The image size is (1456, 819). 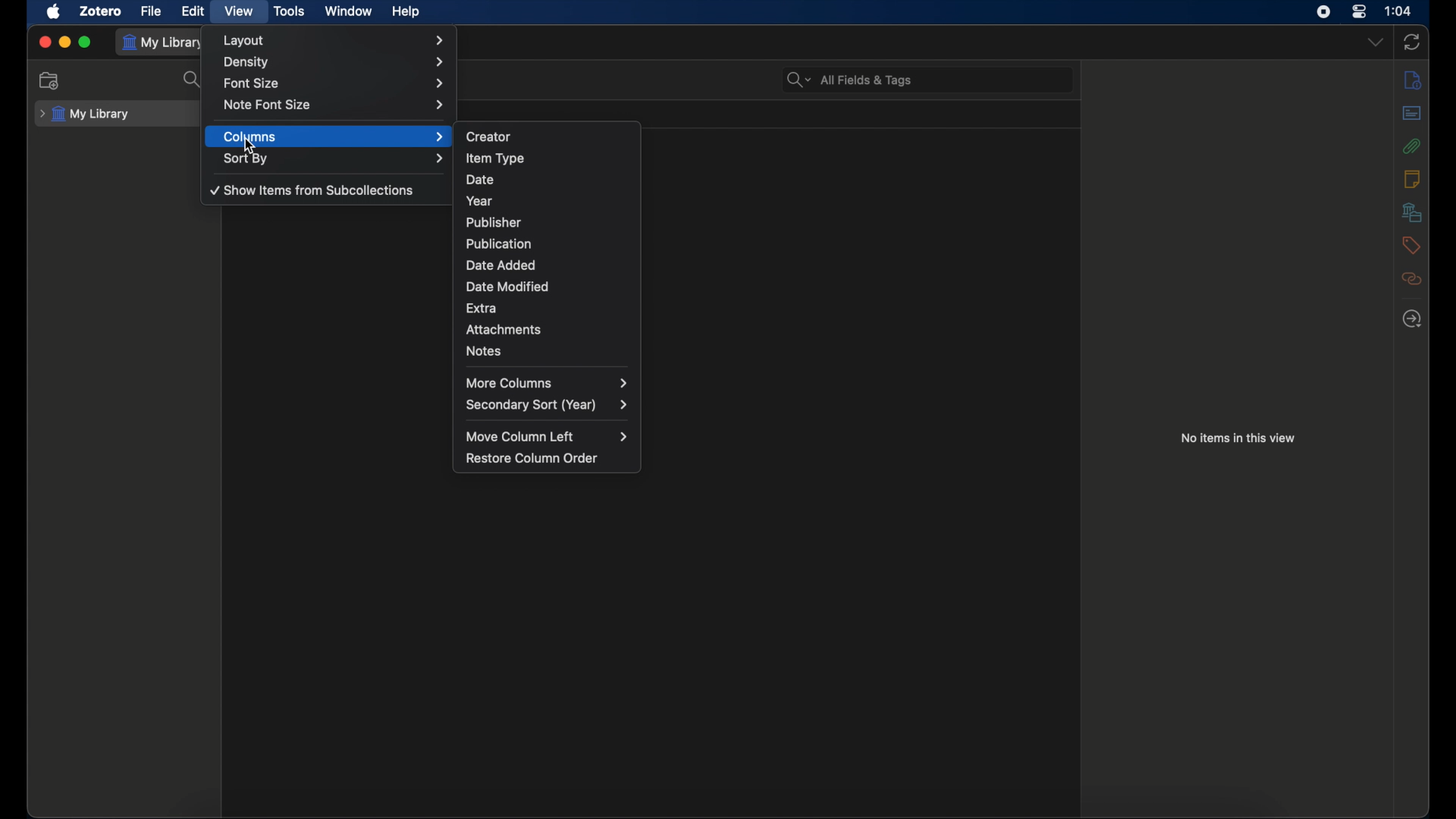 I want to click on search , so click(x=848, y=80).